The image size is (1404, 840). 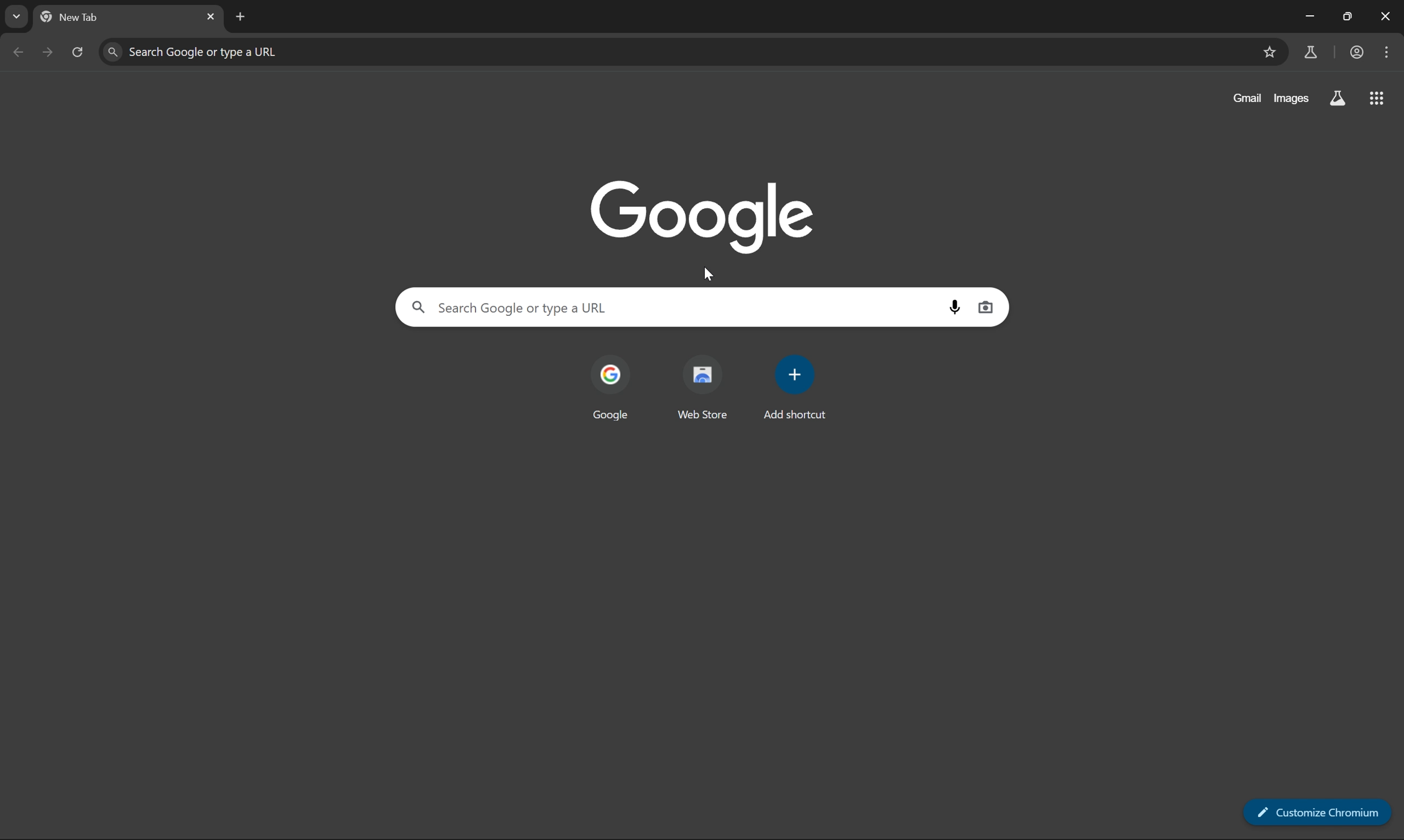 I want to click on search by image, so click(x=986, y=306).